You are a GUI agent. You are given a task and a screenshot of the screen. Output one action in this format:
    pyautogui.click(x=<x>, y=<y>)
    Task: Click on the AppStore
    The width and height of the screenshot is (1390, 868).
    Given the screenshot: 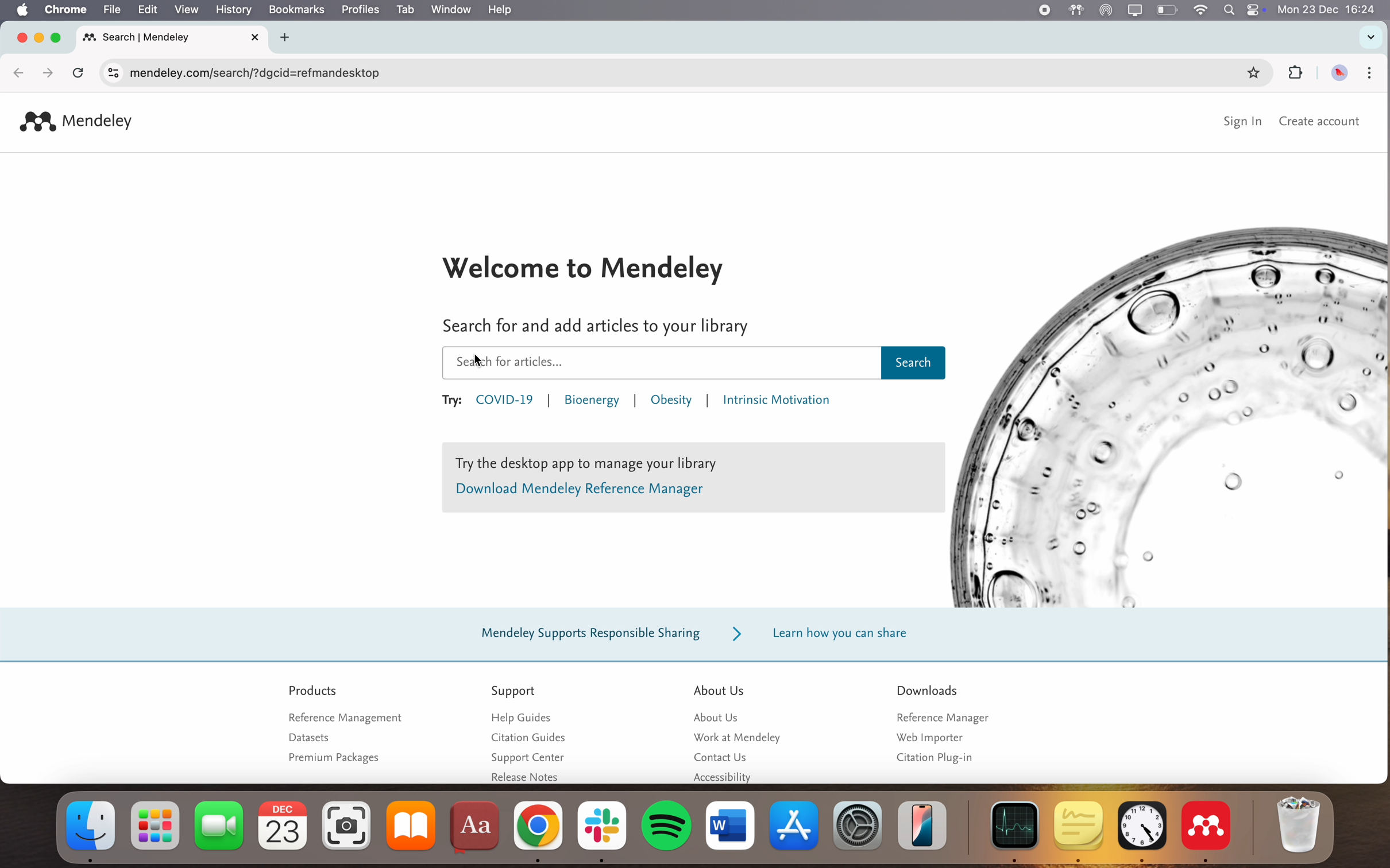 What is the action you would take?
    pyautogui.click(x=795, y=824)
    